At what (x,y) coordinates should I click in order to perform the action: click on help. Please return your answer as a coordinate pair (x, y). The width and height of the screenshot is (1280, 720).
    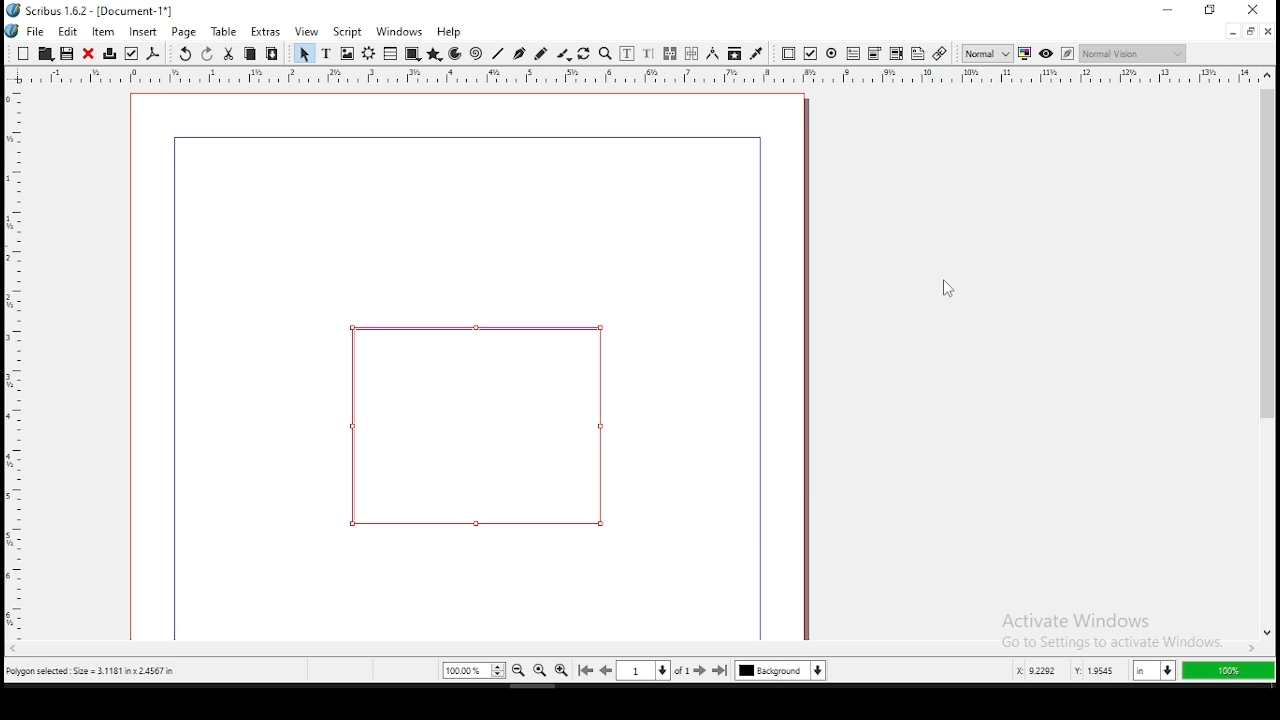
    Looking at the image, I should click on (449, 32).